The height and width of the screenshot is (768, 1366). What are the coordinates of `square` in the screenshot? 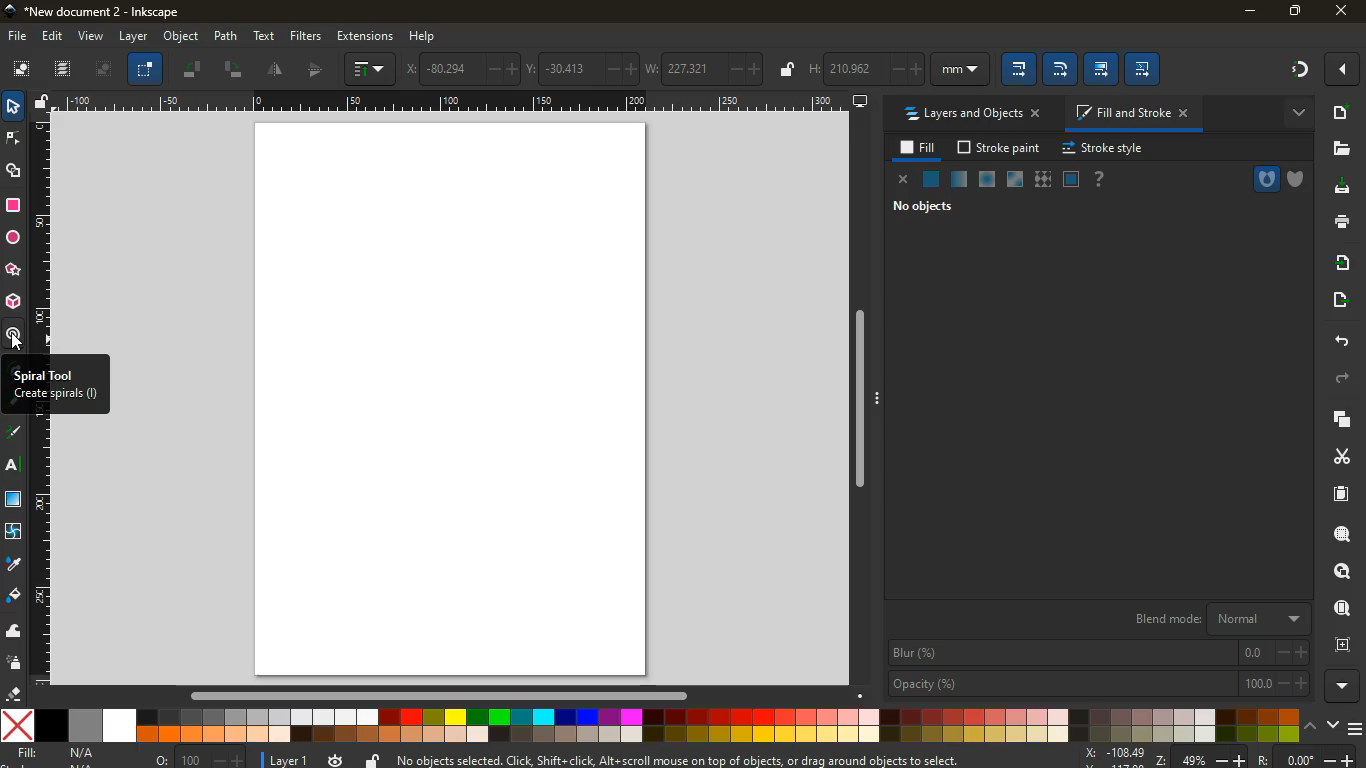 It's located at (15, 207).